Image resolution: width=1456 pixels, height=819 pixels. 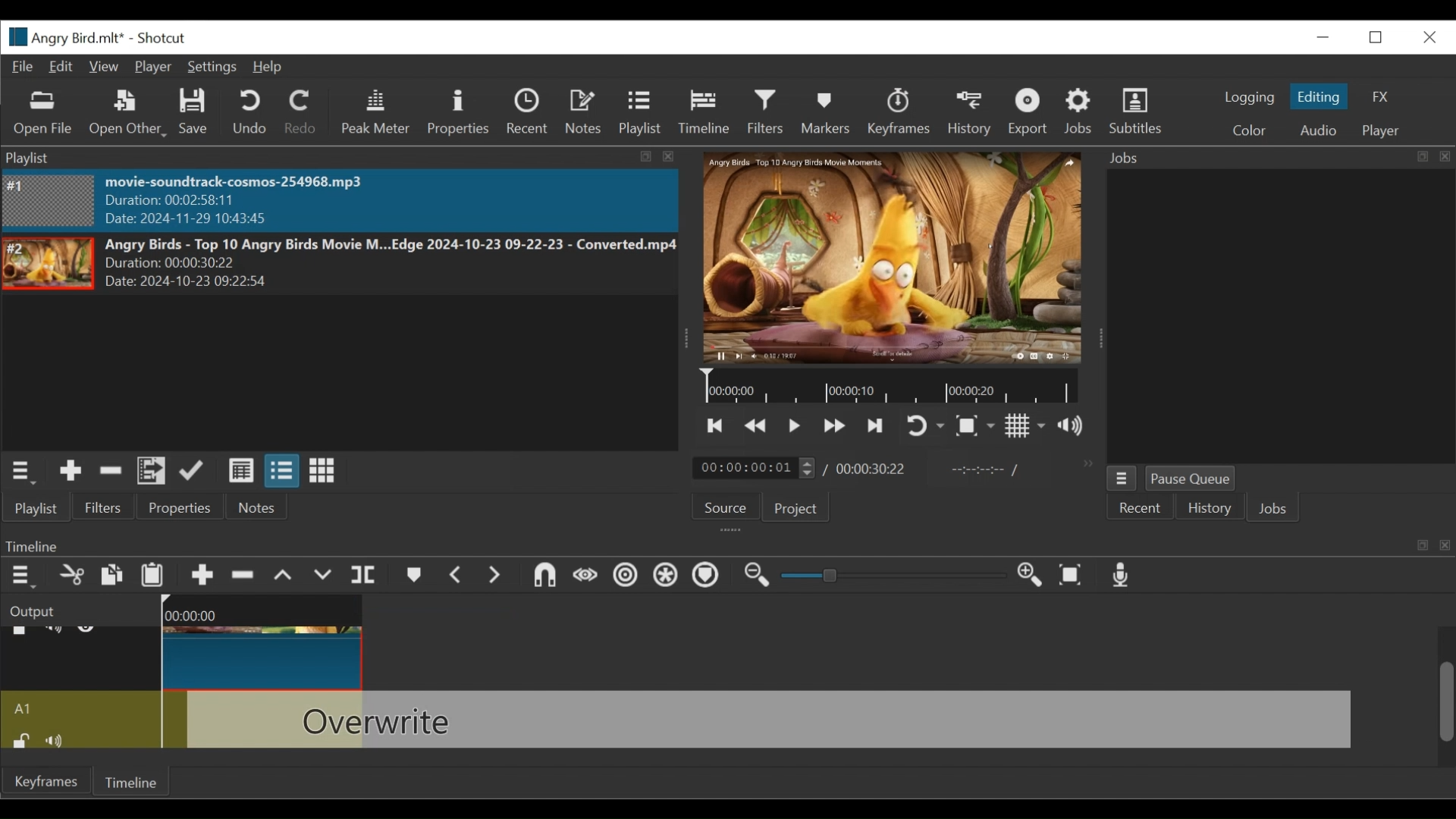 What do you see at coordinates (61, 66) in the screenshot?
I see `Edit` at bounding box center [61, 66].